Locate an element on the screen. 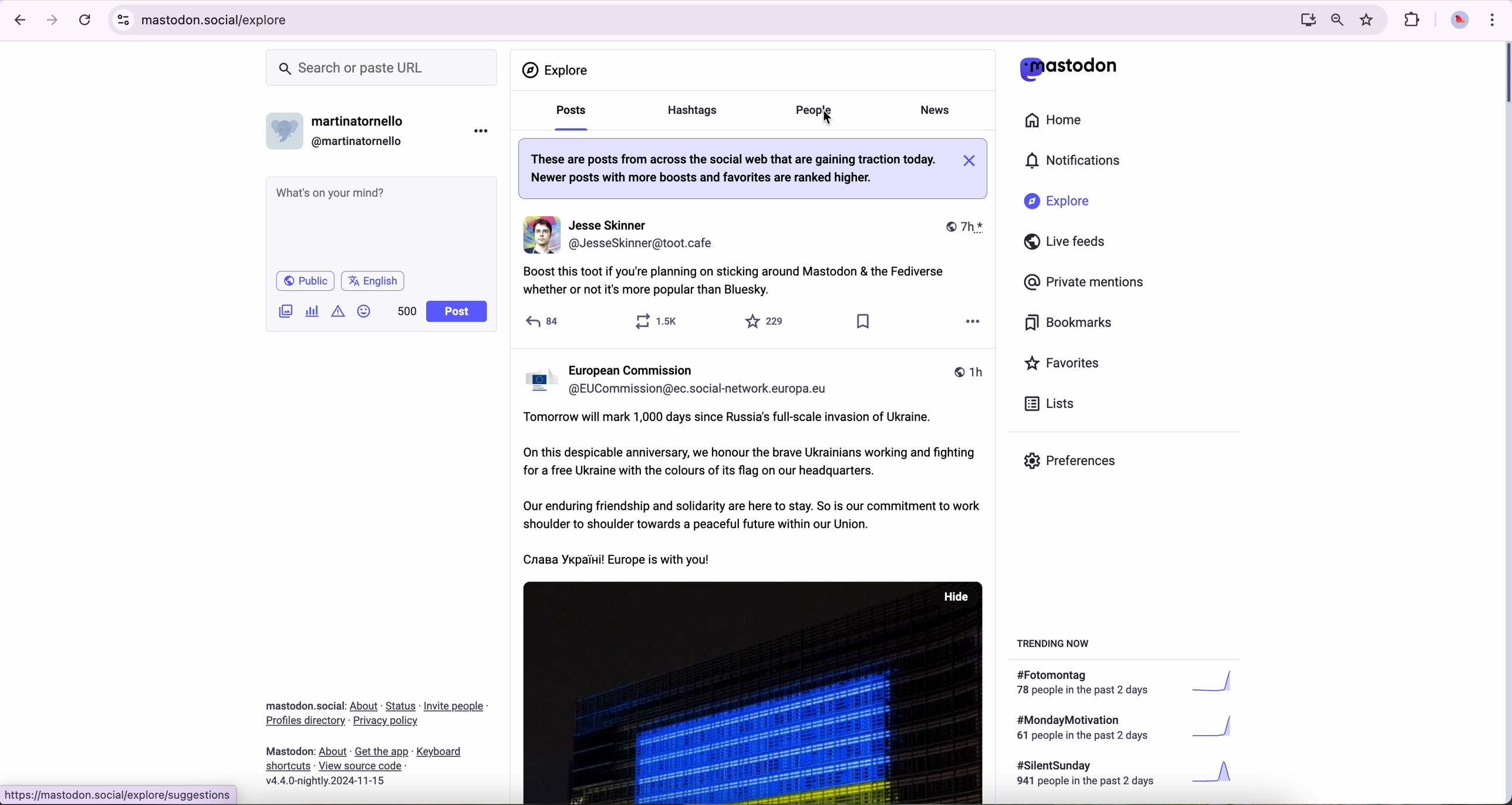 This screenshot has height=805, width=1512. note is located at coordinates (752, 168).